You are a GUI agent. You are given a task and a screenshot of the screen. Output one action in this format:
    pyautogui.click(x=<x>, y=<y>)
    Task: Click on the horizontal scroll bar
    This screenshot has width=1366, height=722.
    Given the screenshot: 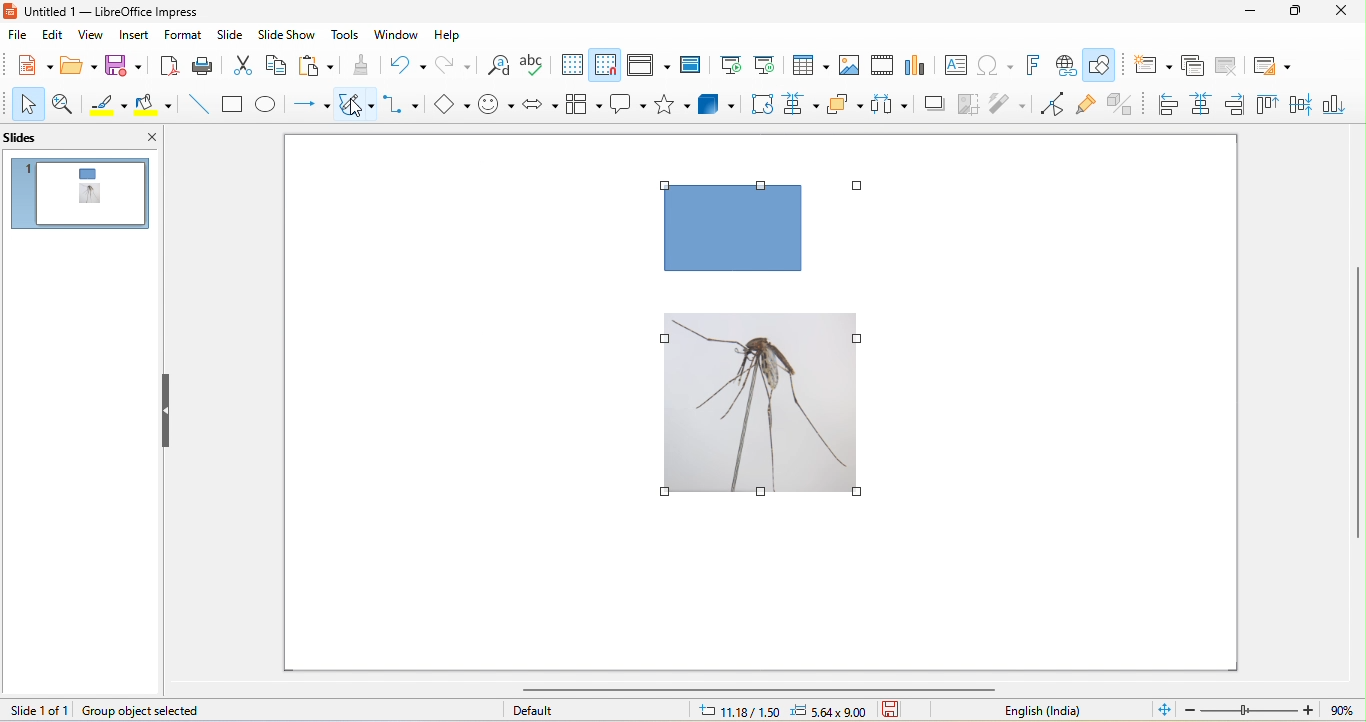 What is the action you would take?
    pyautogui.click(x=765, y=689)
    